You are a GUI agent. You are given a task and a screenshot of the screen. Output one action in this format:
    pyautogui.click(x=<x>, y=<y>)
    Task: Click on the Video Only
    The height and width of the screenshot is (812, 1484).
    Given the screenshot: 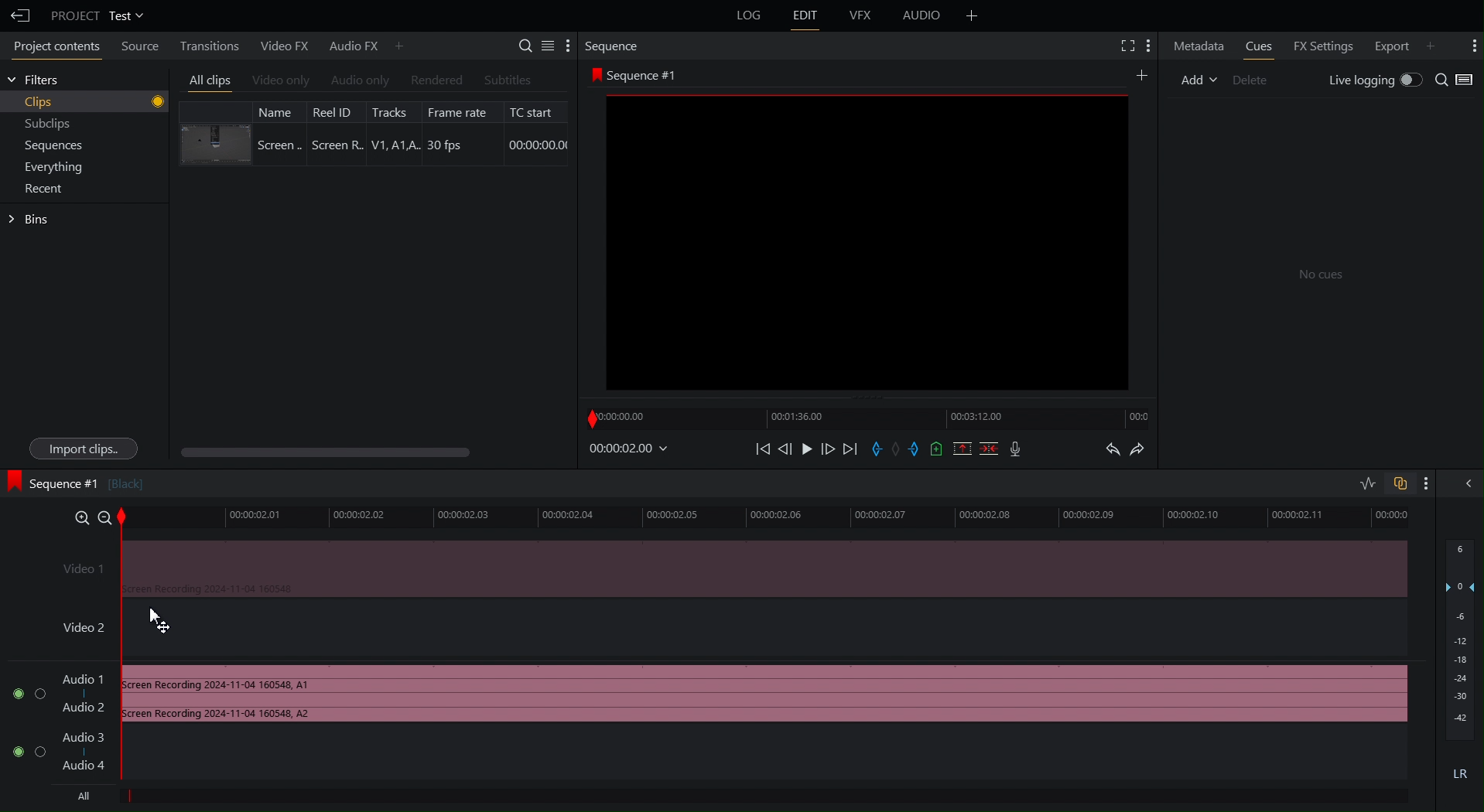 What is the action you would take?
    pyautogui.click(x=281, y=79)
    